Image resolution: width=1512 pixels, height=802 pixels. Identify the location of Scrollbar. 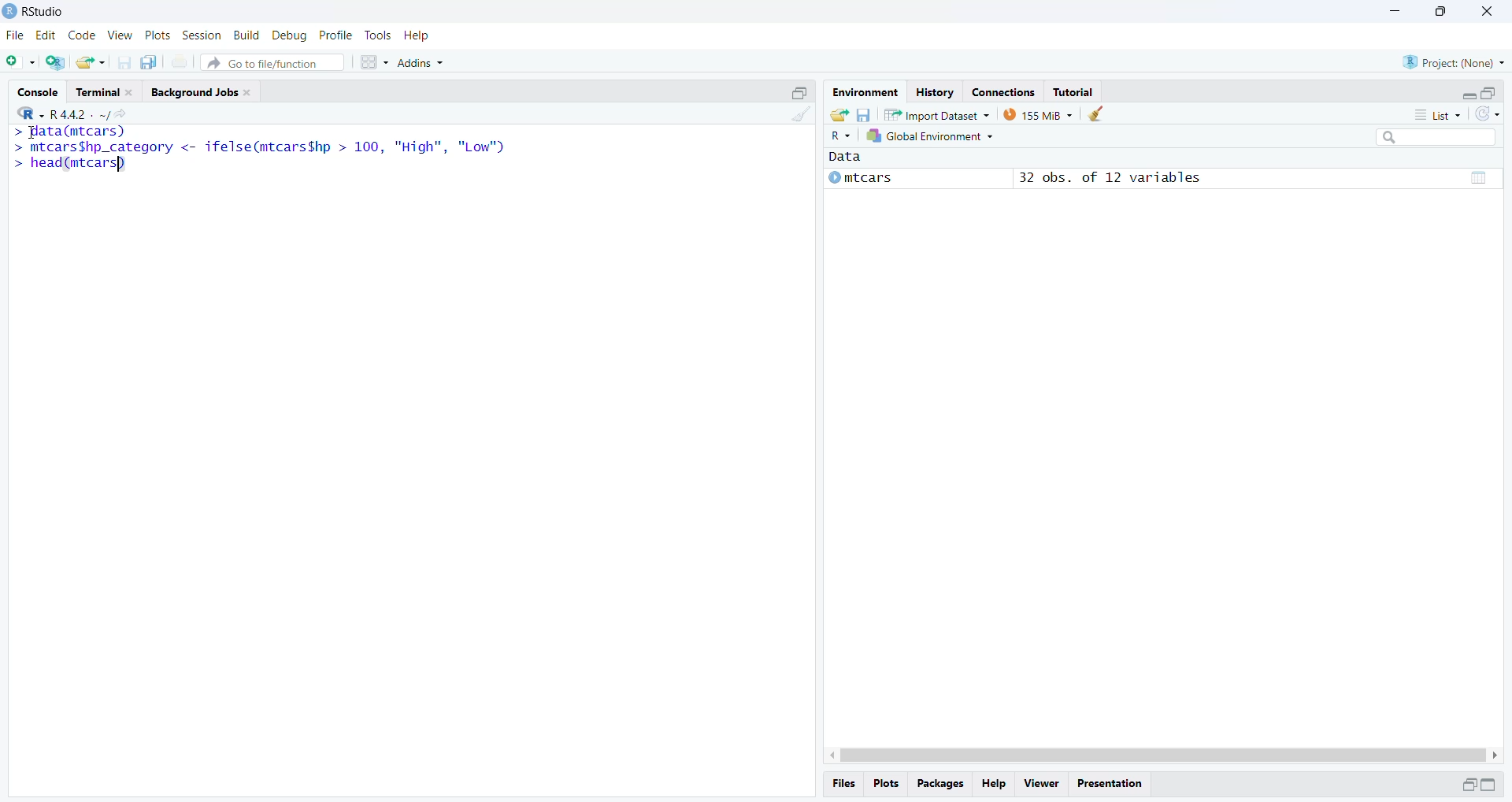
(1160, 753).